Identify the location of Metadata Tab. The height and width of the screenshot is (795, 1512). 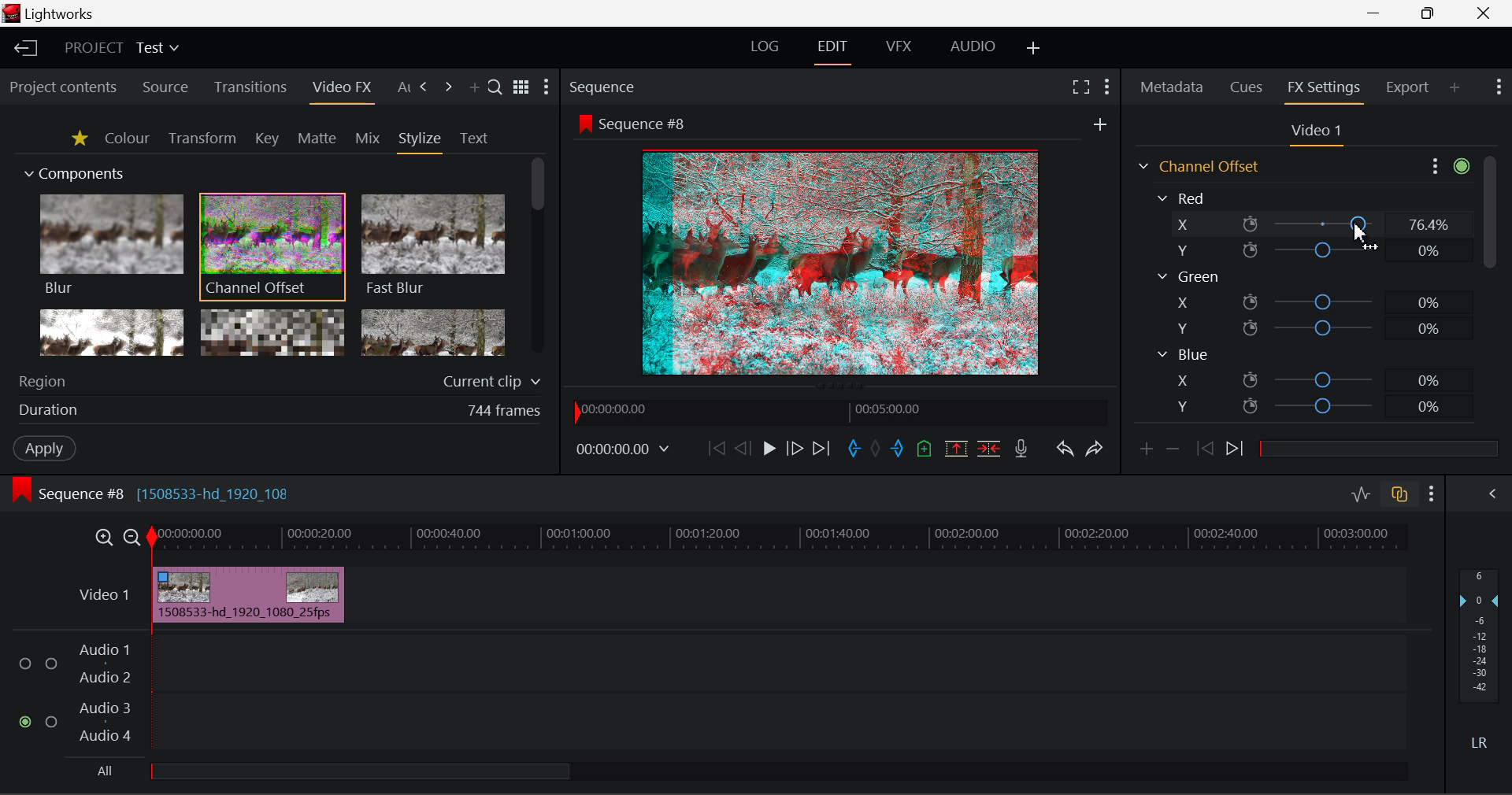
(1170, 87).